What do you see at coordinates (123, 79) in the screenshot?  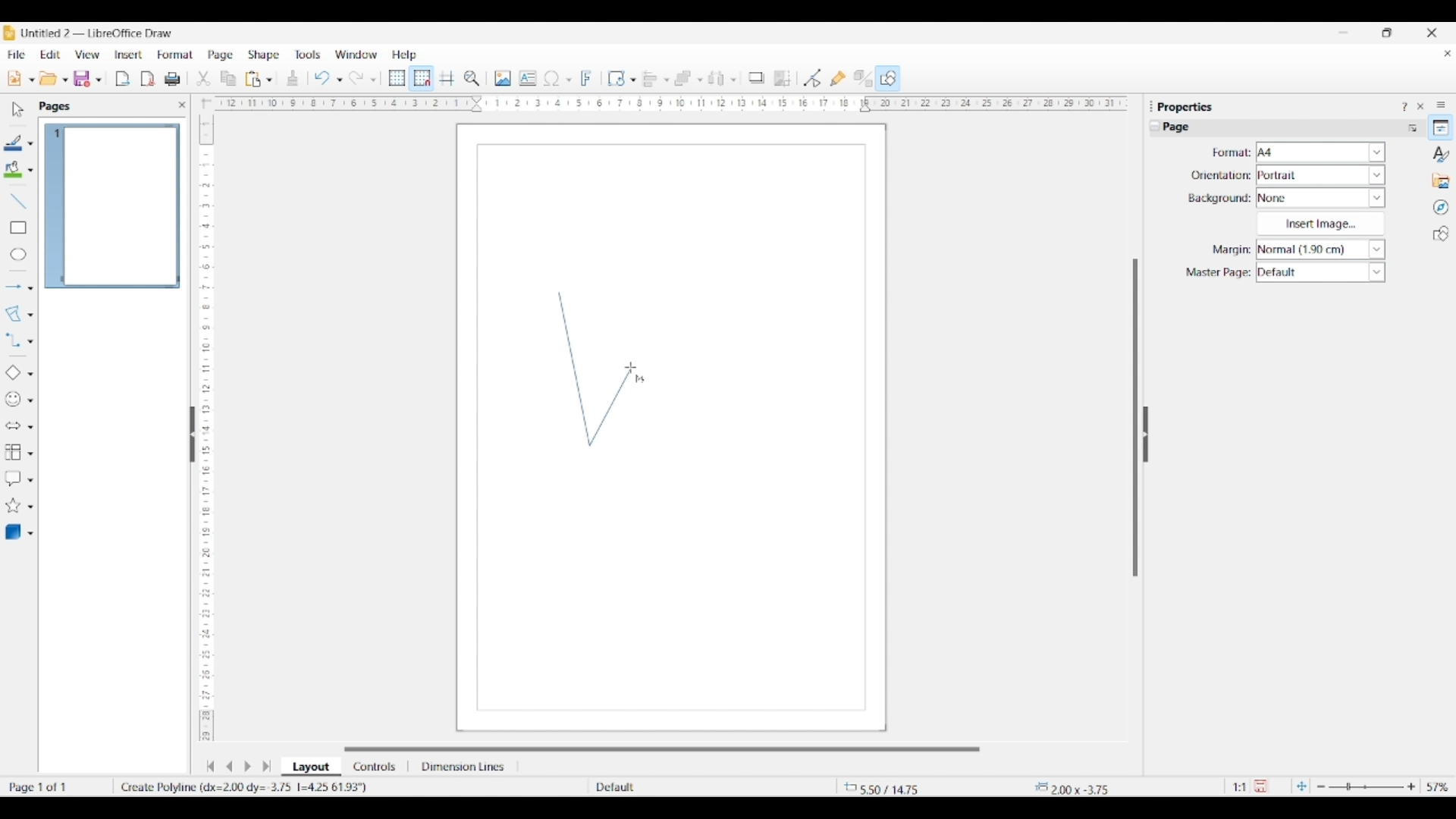 I see `Export` at bounding box center [123, 79].